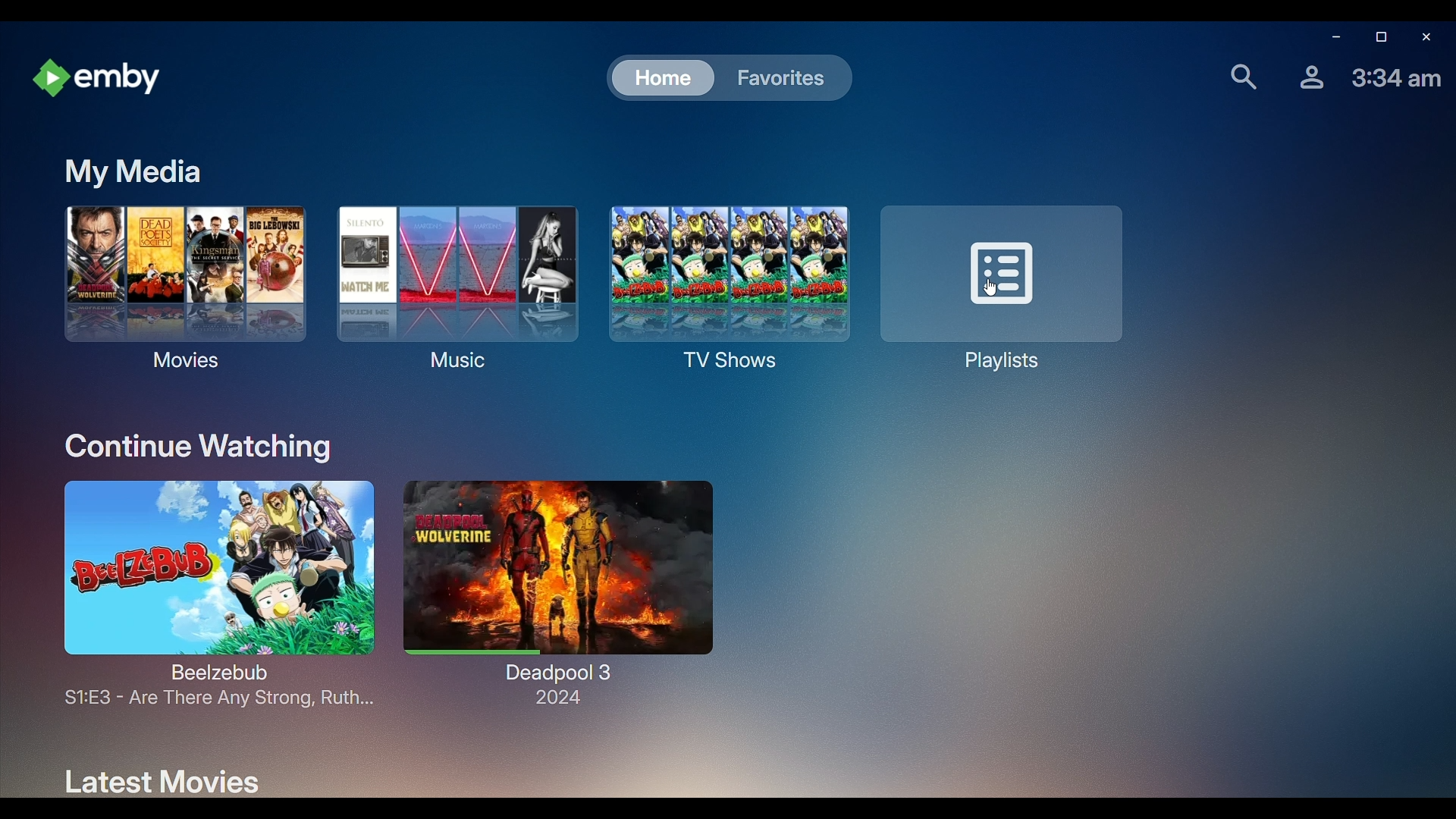  I want to click on Minimize, so click(1332, 39).